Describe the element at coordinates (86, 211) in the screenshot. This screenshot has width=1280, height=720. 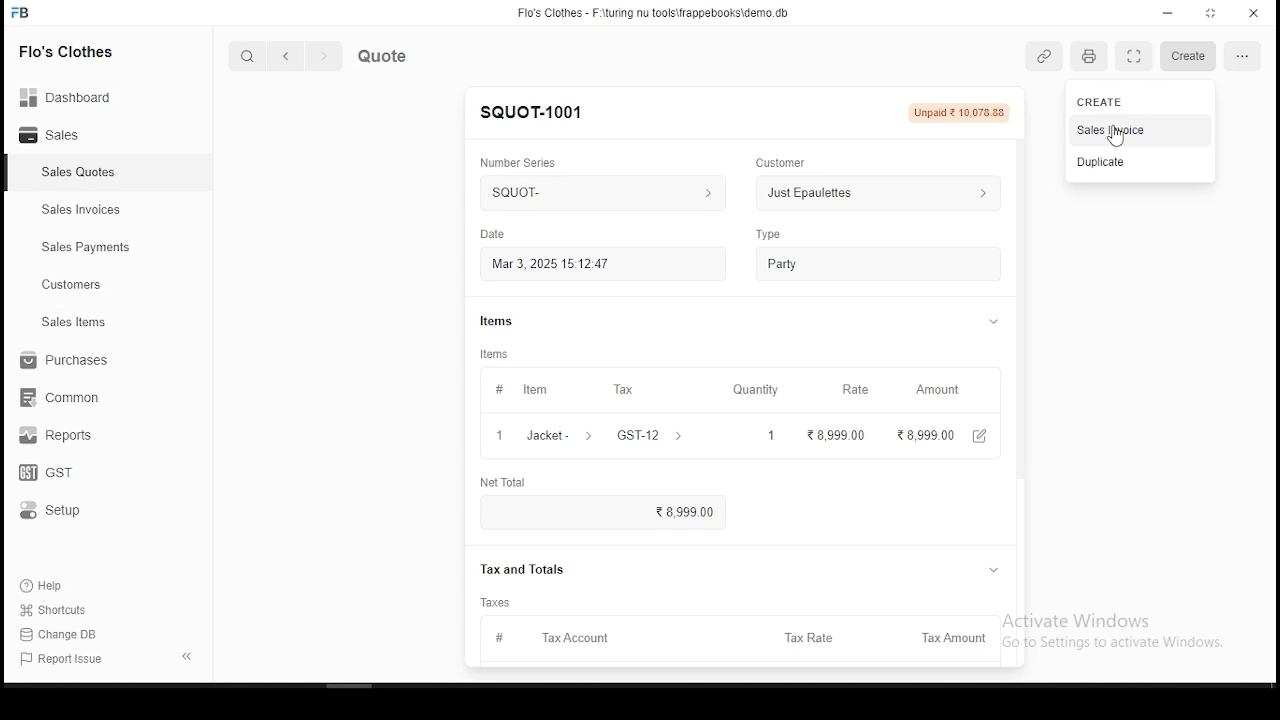
I see `sales invoices` at that location.